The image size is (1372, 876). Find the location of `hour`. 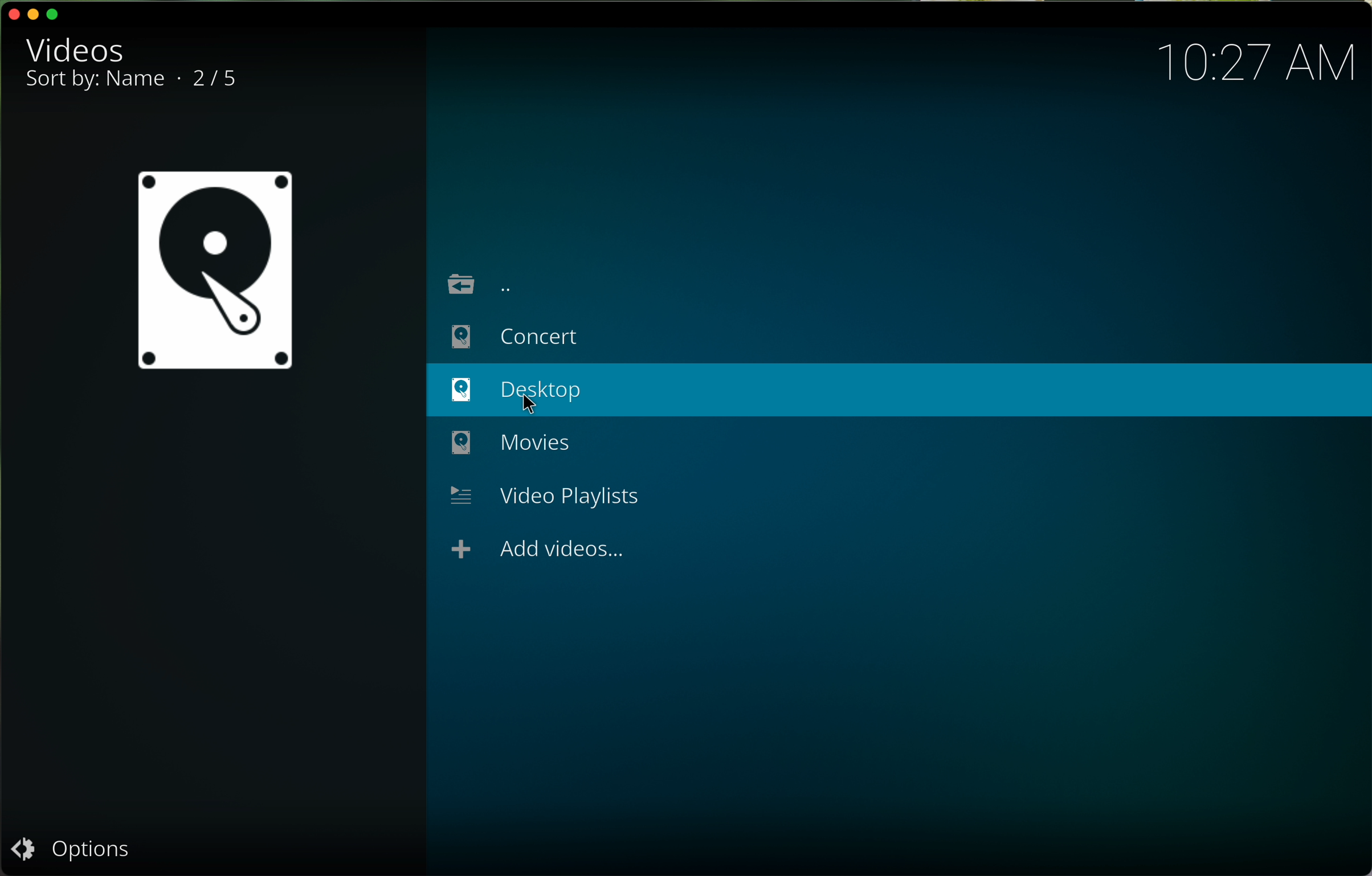

hour is located at coordinates (1261, 62).